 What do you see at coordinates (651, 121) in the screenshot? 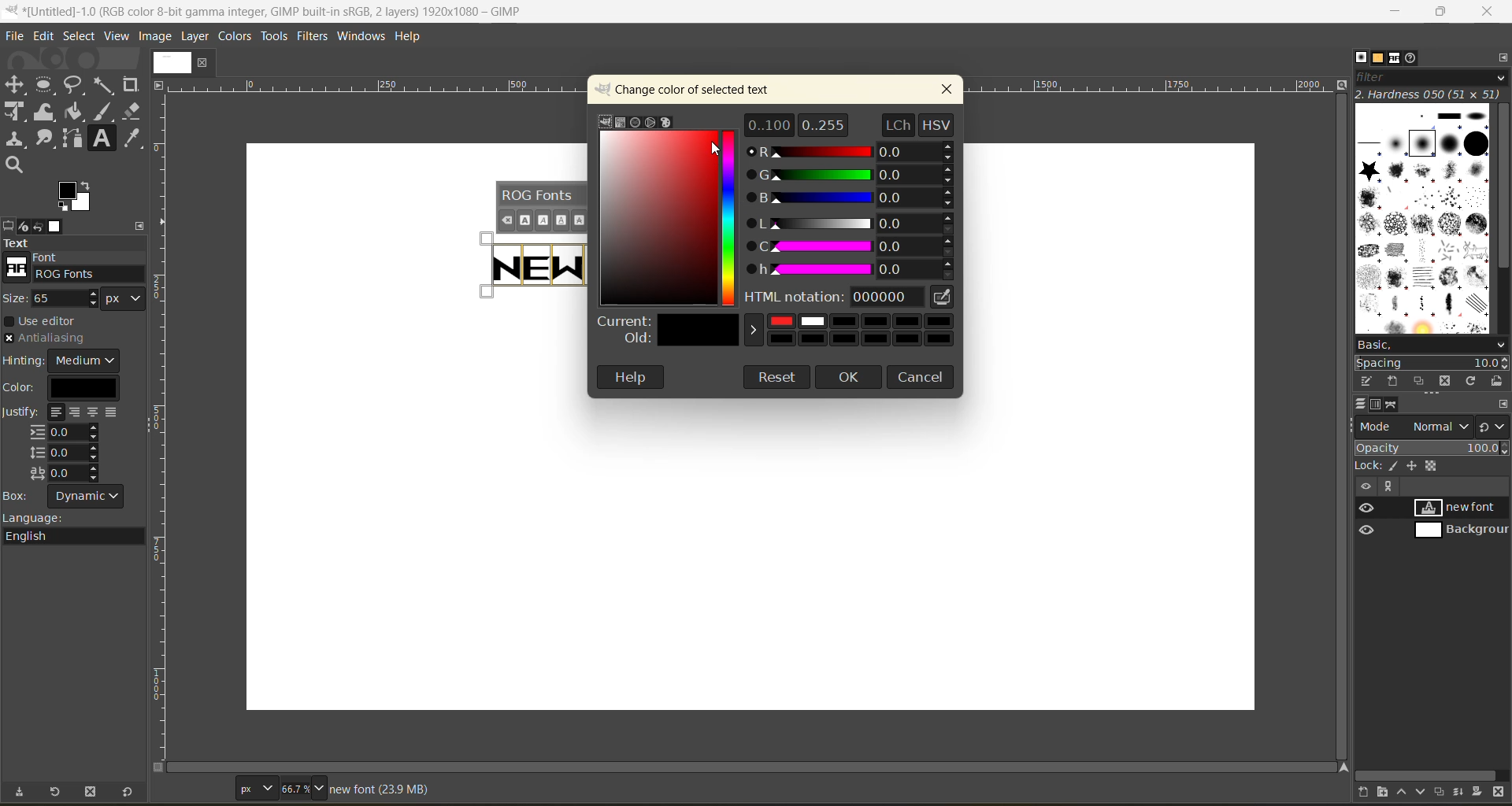
I see `wheel` at bounding box center [651, 121].